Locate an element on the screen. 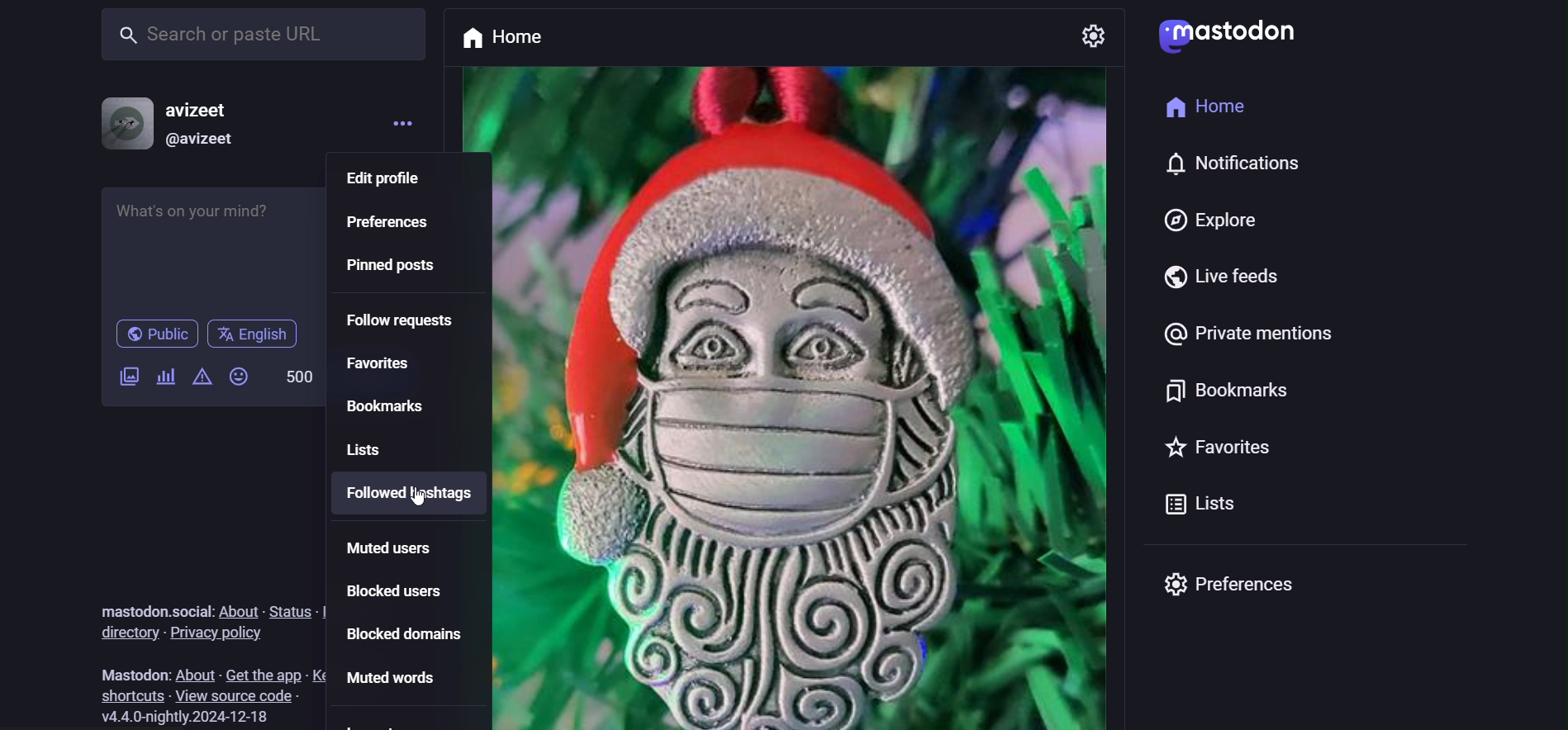 This screenshot has width=1568, height=730. preferences is located at coordinates (390, 225).